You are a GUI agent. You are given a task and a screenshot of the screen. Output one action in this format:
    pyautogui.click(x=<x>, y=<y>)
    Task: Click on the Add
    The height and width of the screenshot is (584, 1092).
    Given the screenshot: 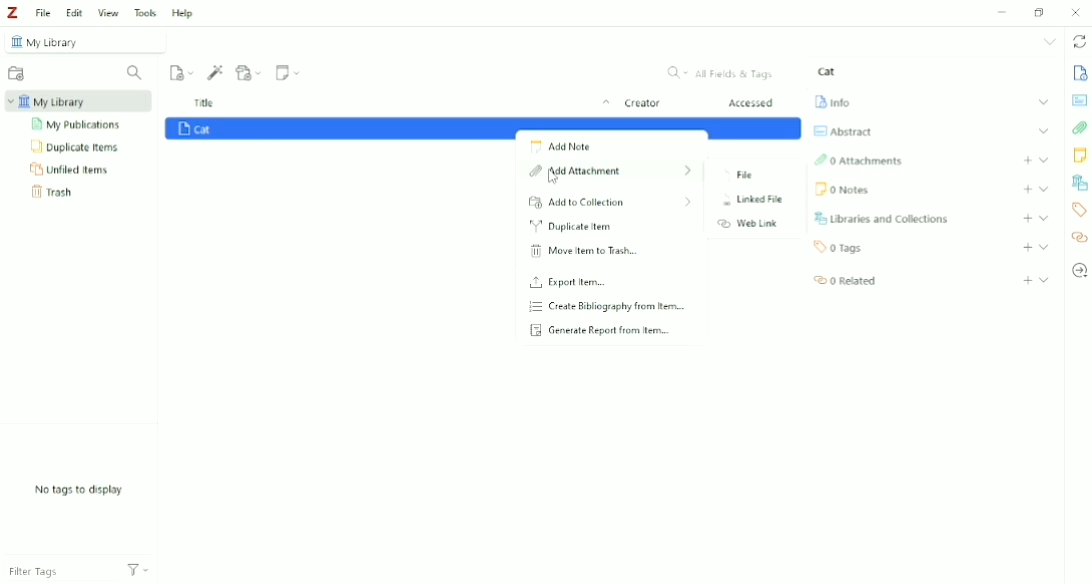 What is the action you would take?
    pyautogui.click(x=1028, y=248)
    